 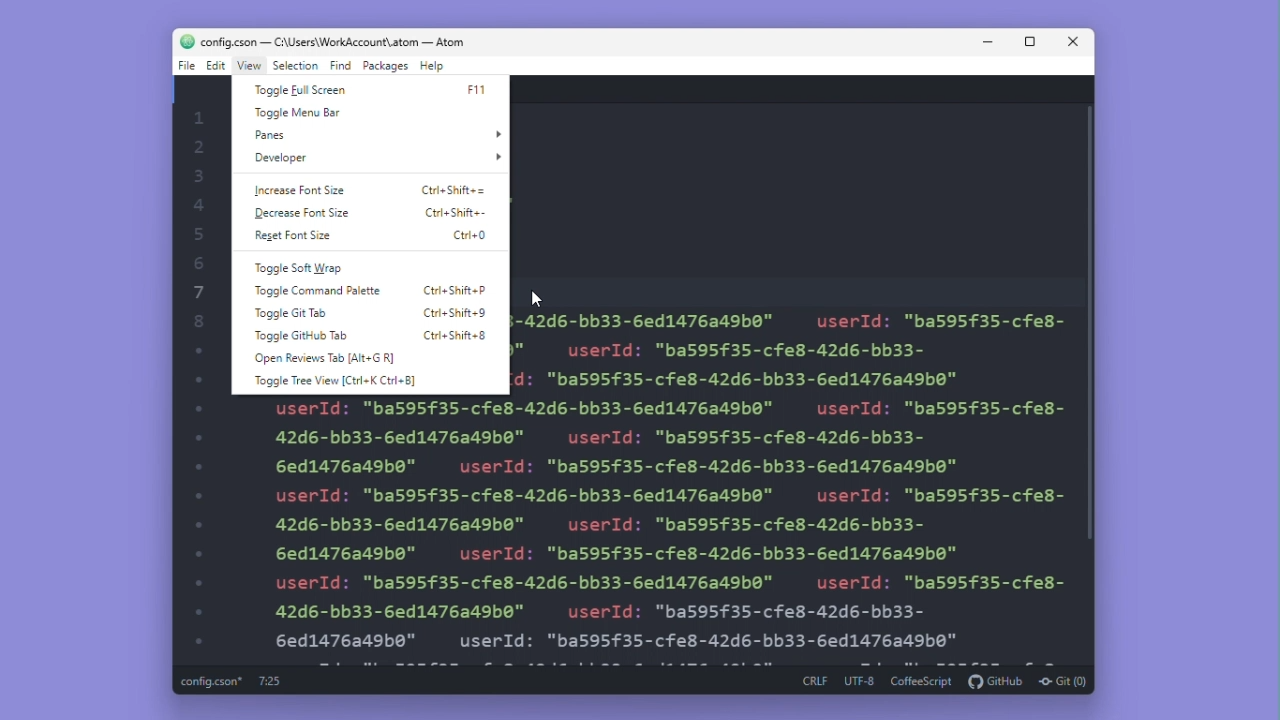 What do you see at coordinates (1095, 335) in the screenshot?
I see `Vertical scrollbar` at bounding box center [1095, 335].